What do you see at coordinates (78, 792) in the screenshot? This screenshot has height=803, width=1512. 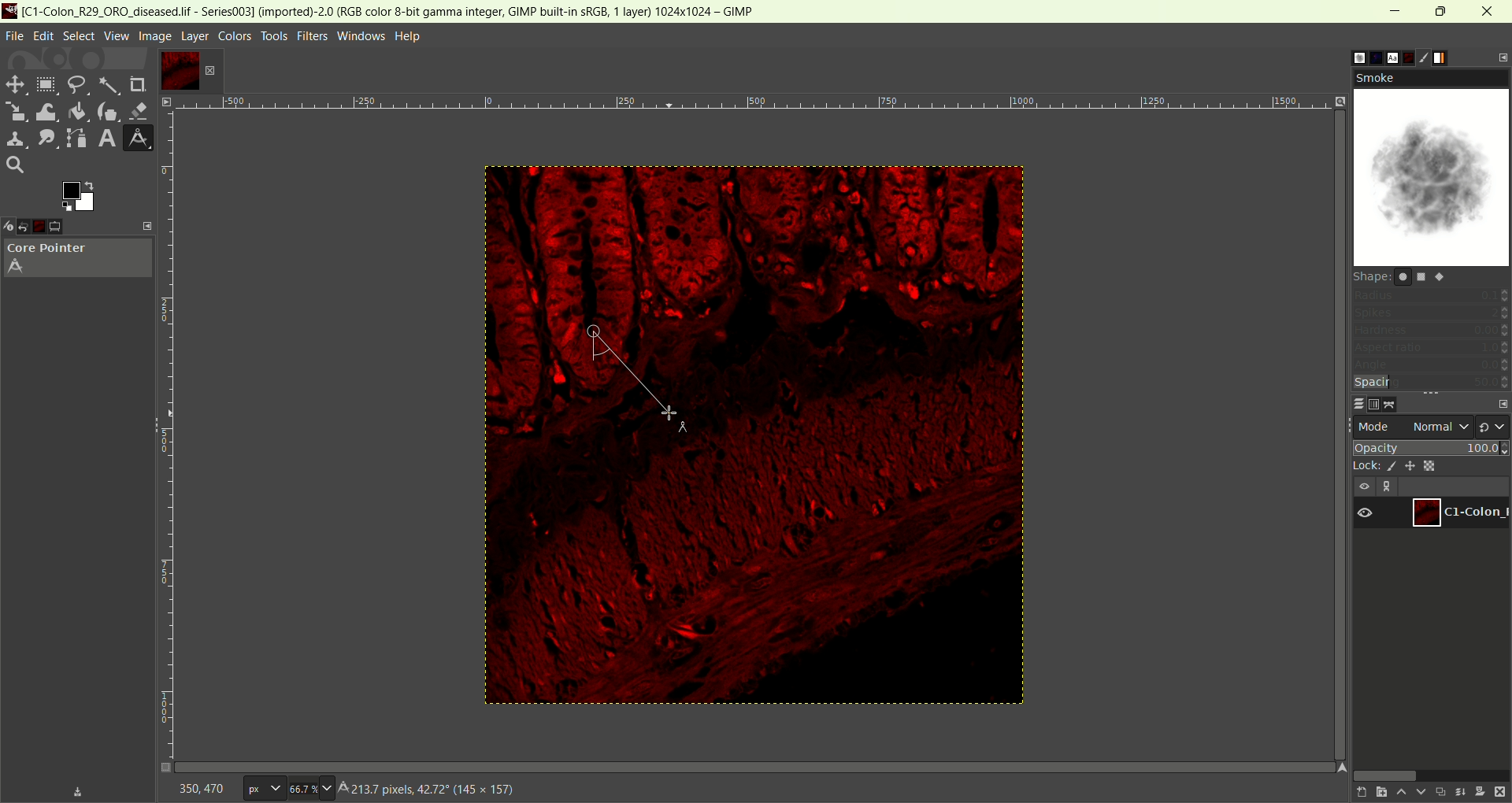 I see `save` at bounding box center [78, 792].